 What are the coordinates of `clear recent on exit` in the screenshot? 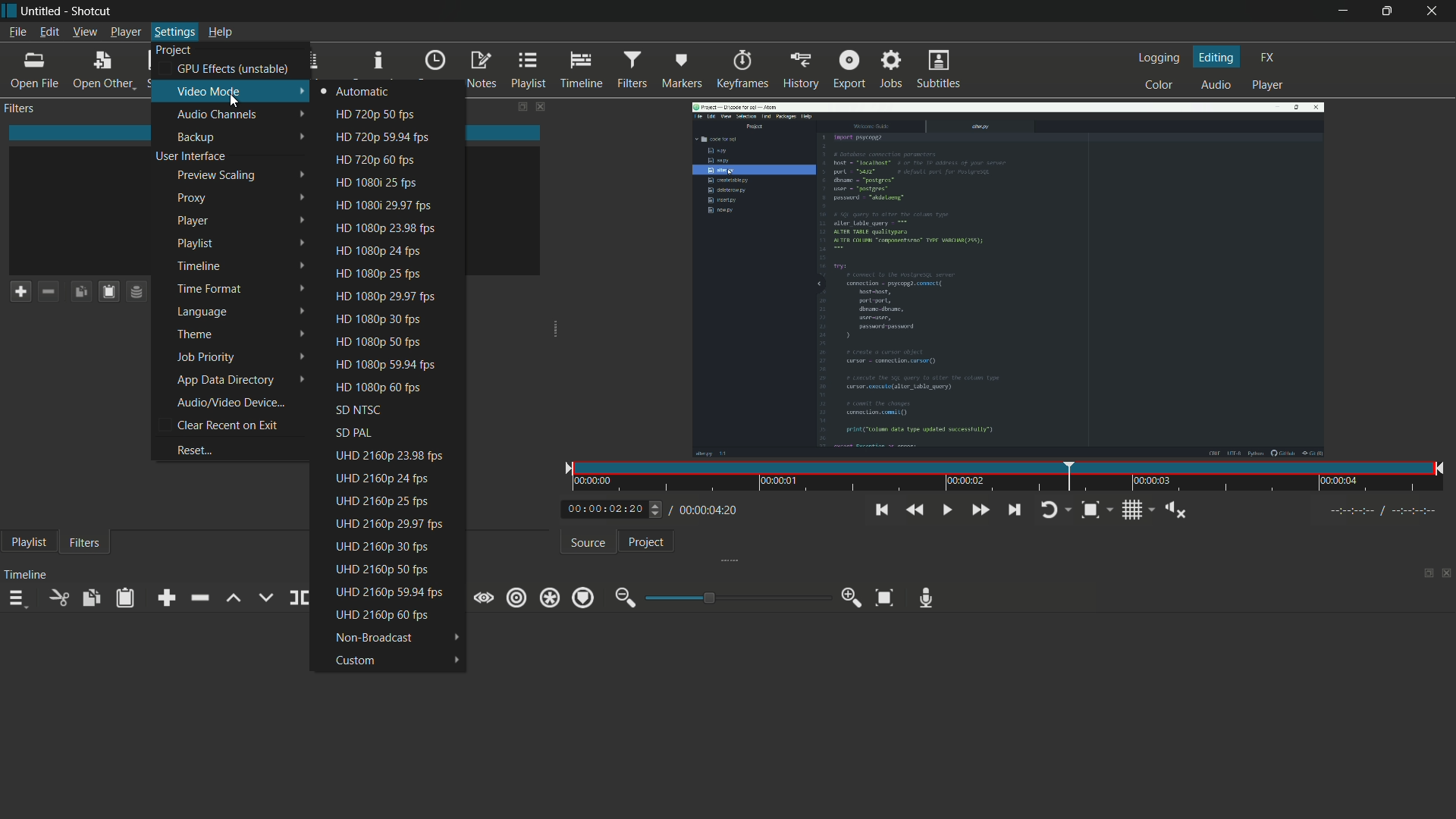 It's located at (240, 425).